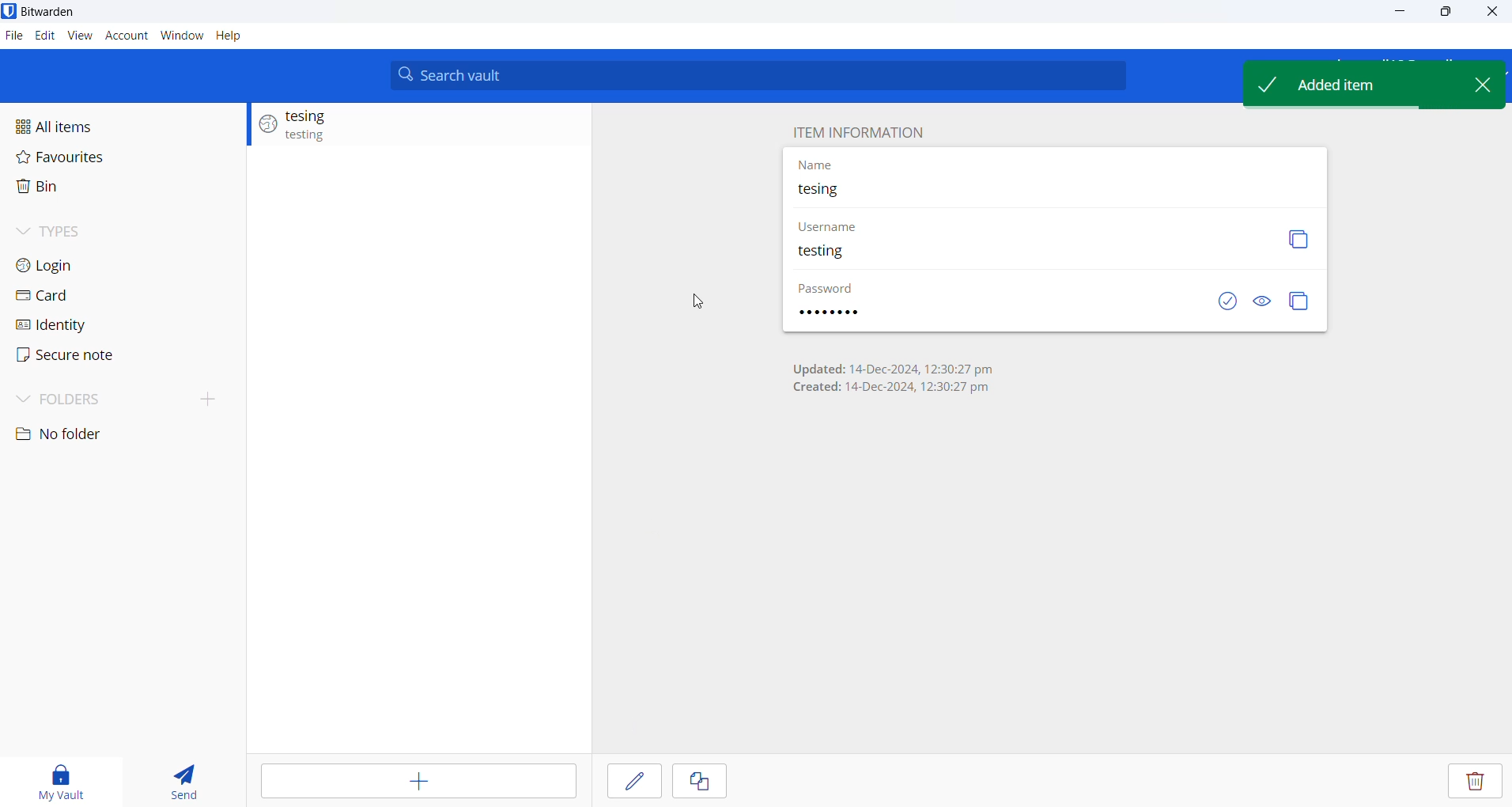 This screenshot has width=1512, height=807. What do you see at coordinates (185, 783) in the screenshot?
I see `send` at bounding box center [185, 783].